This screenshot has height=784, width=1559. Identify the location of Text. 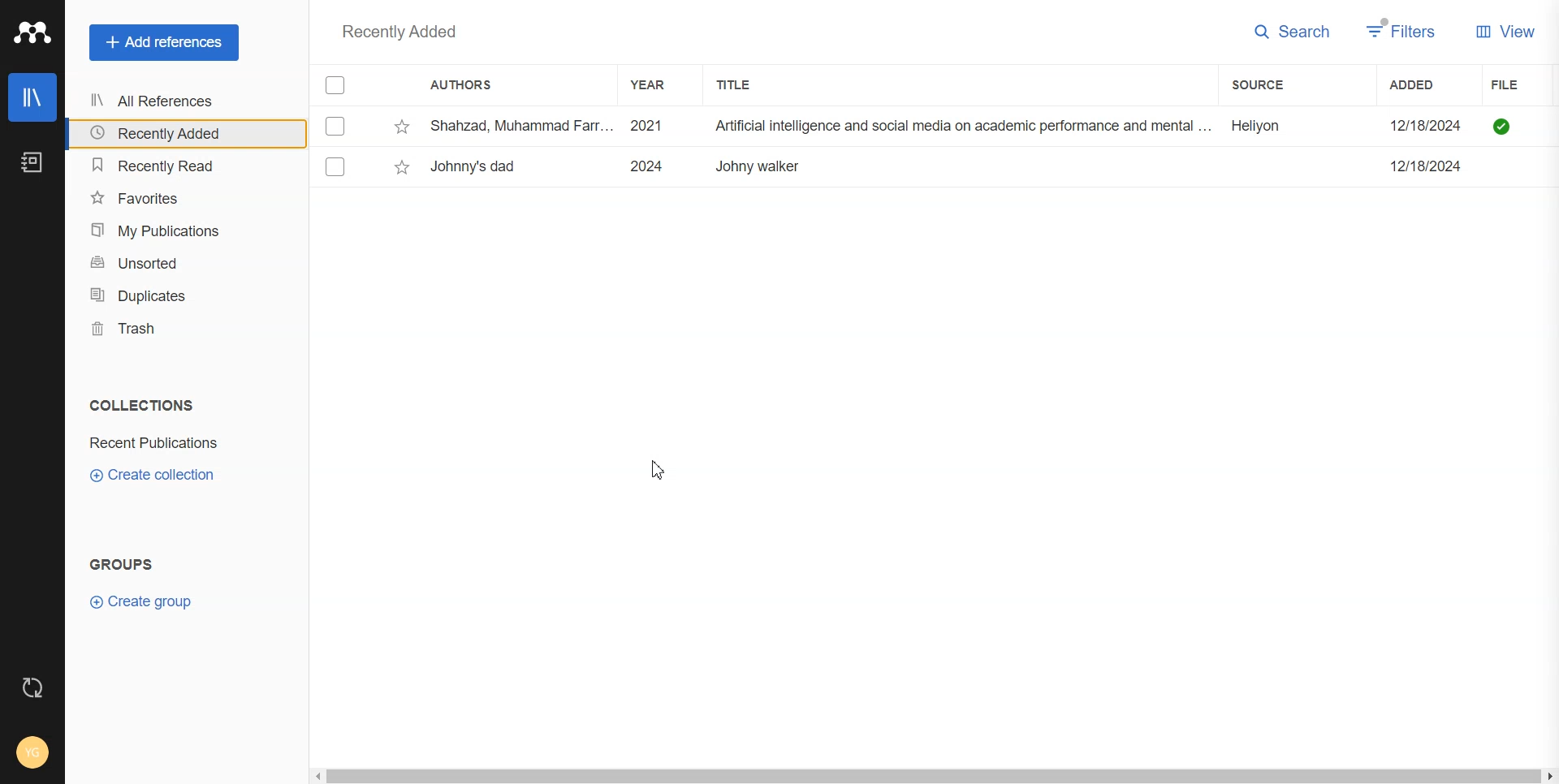
(394, 31).